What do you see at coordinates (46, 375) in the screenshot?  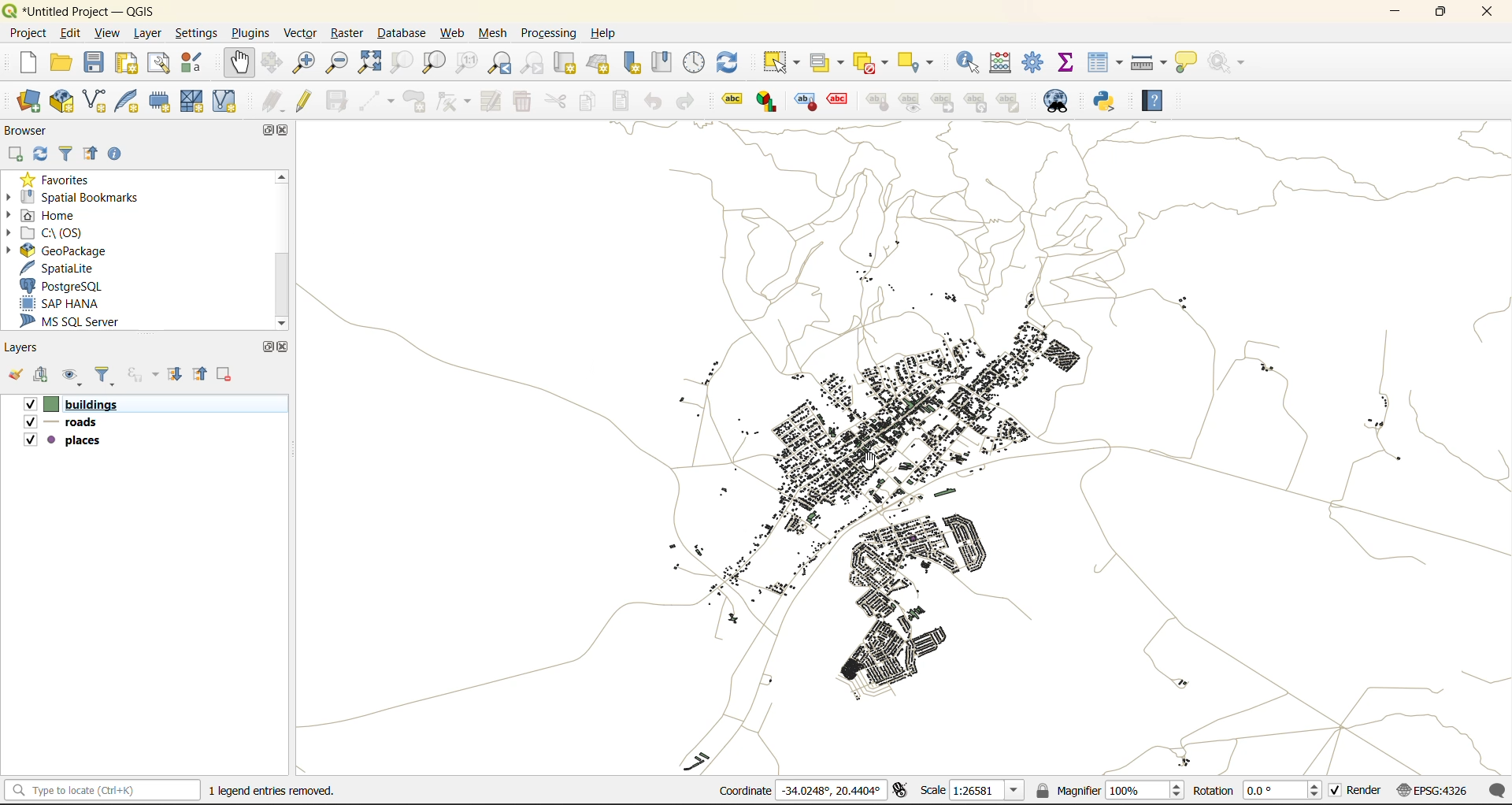 I see `add` at bounding box center [46, 375].